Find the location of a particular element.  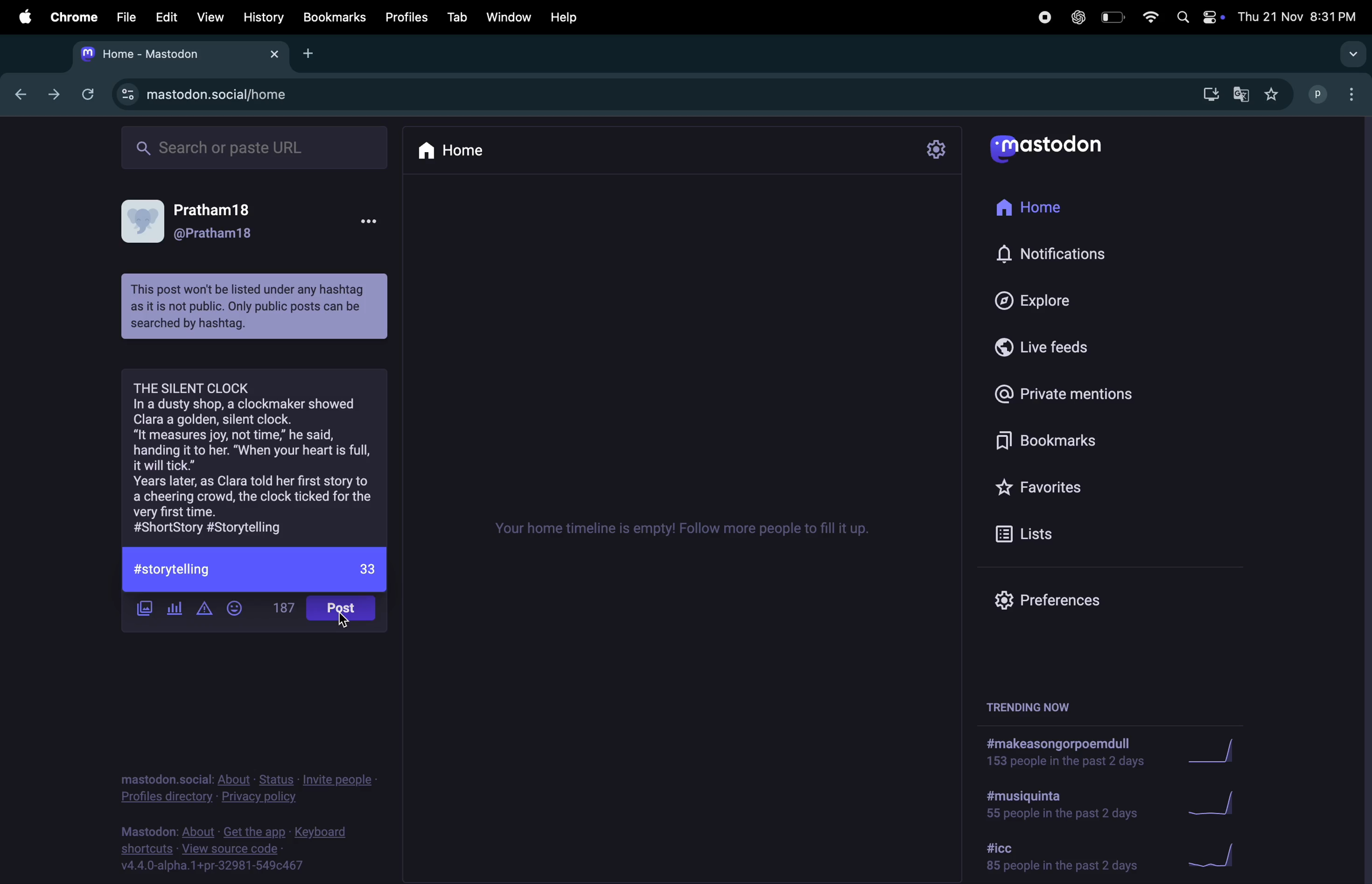

downloads is located at coordinates (1206, 95).